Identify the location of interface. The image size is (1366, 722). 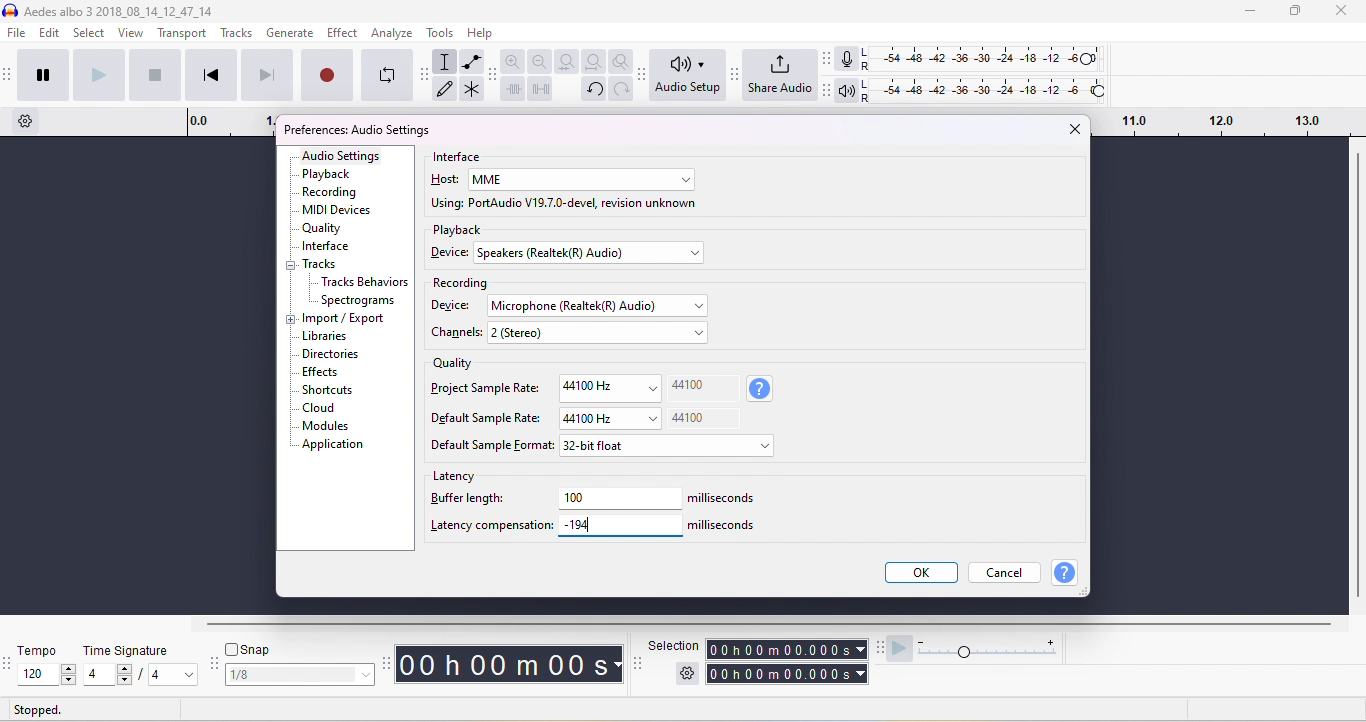
(325, 247).